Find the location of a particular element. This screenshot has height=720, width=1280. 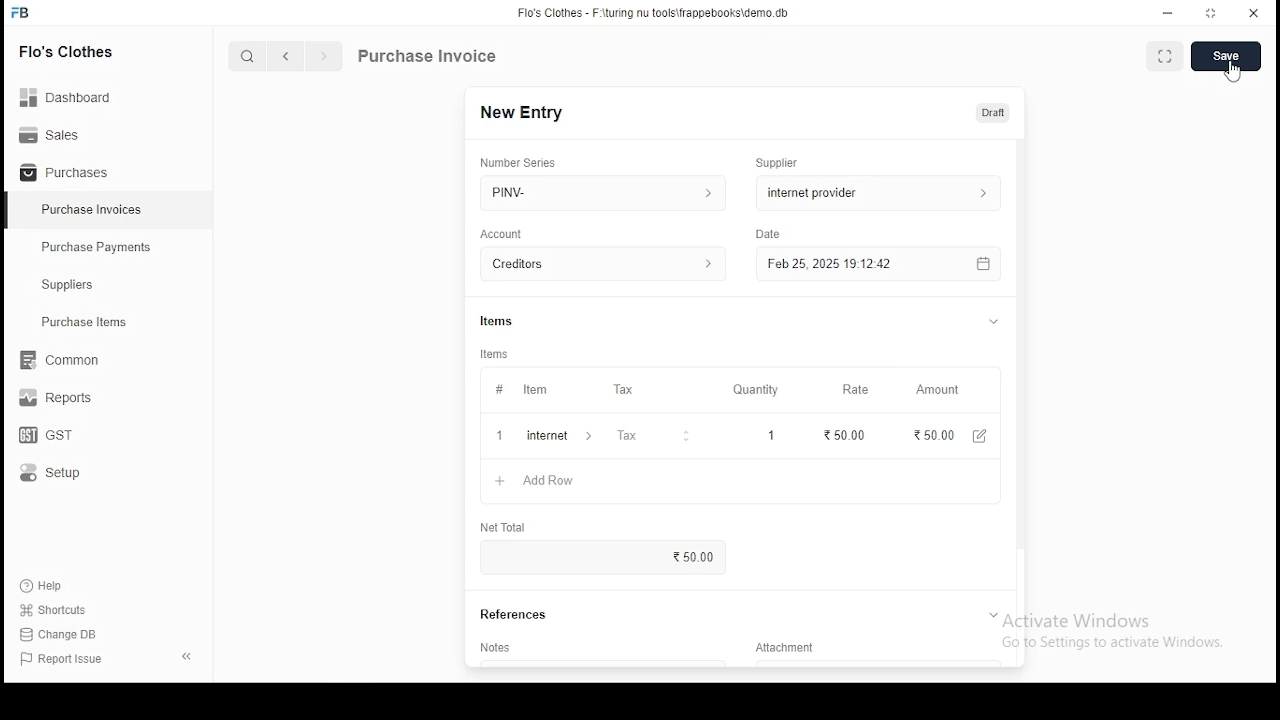

create is located at coordinates (1228, 57).